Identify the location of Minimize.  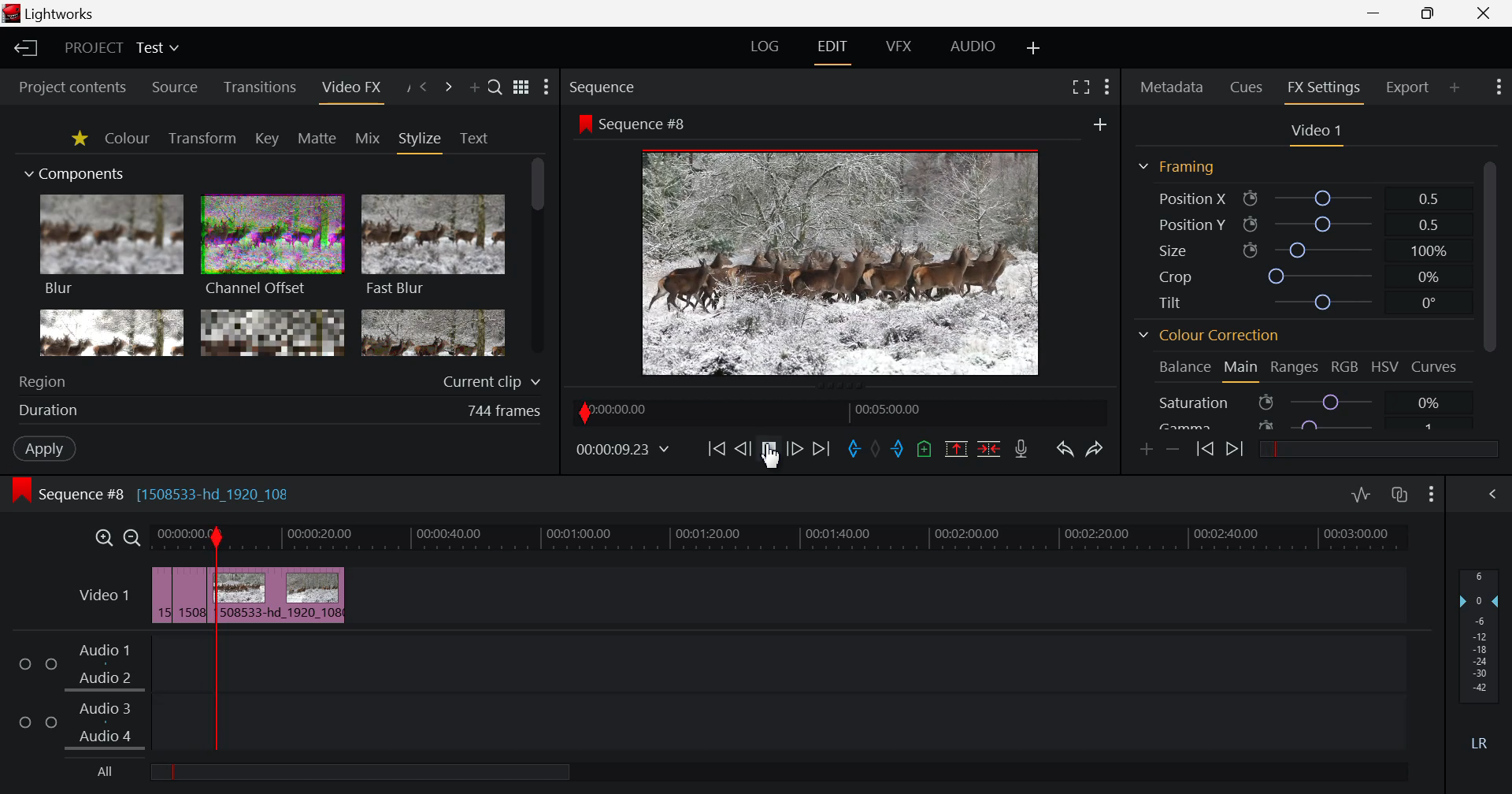
(1429, 14).